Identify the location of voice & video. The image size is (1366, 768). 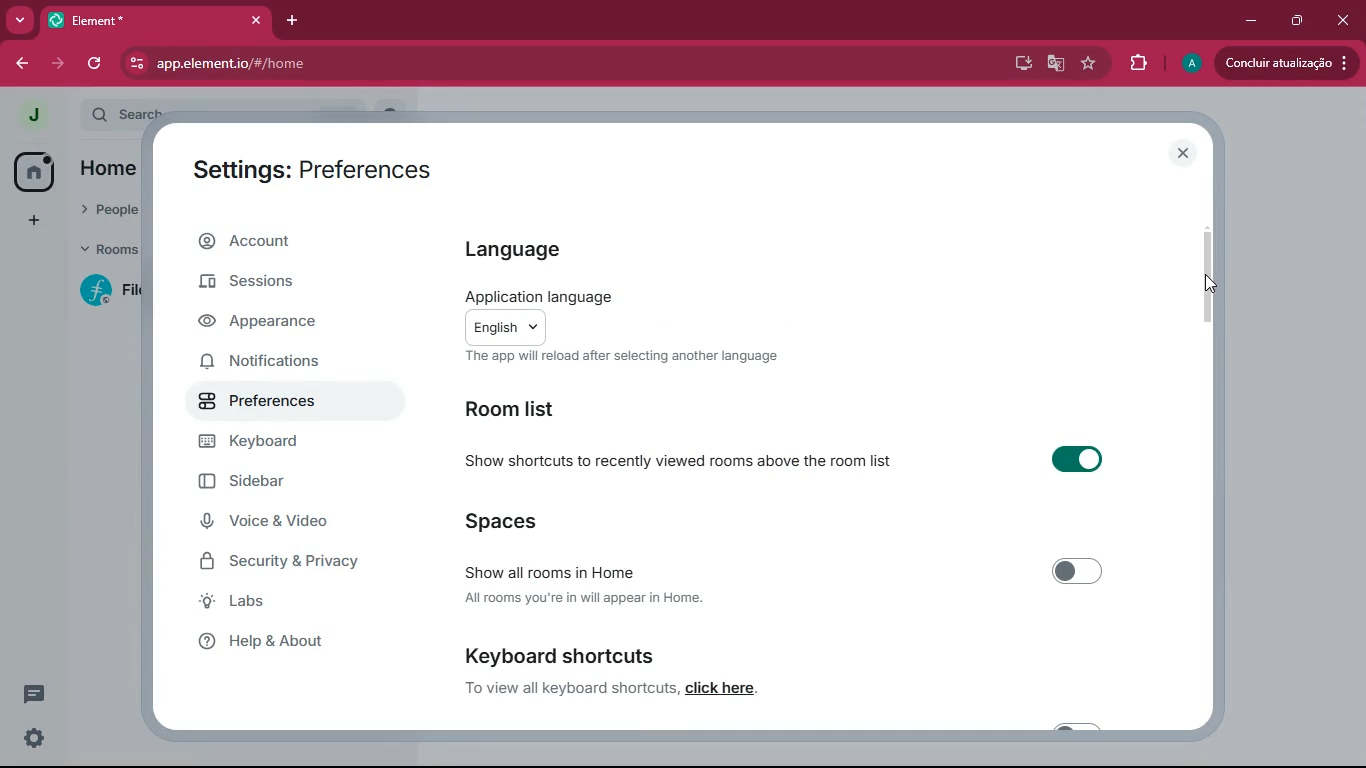
(280, 524).